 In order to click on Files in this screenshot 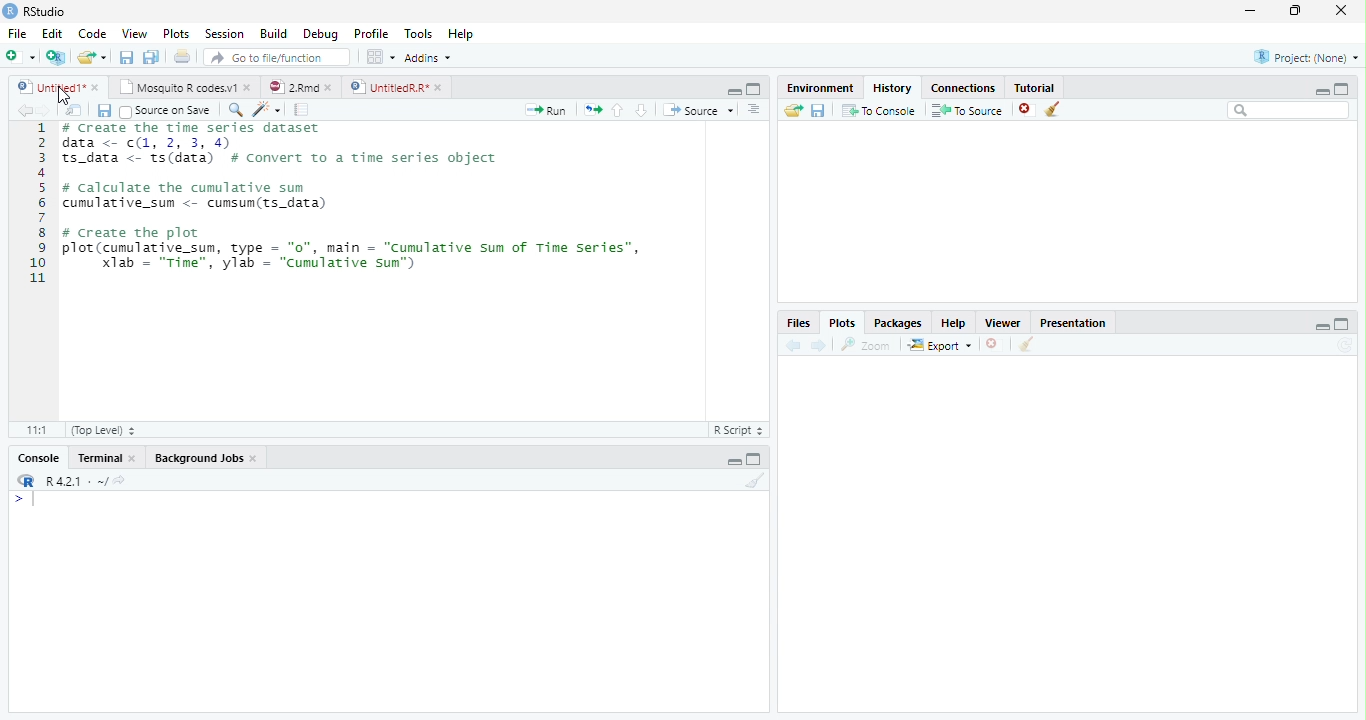, I will do `click(592, 110)`.